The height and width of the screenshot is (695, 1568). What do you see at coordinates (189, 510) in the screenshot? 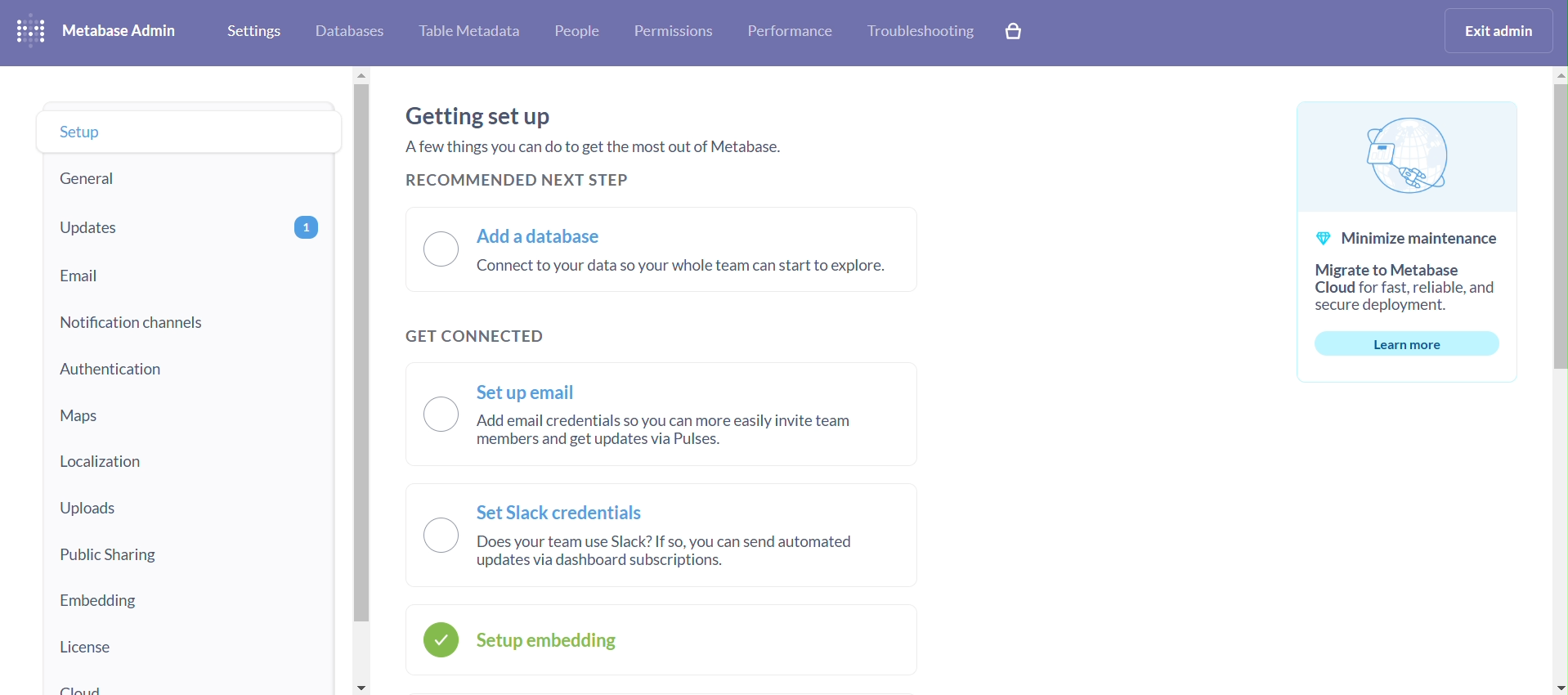
I see `uploads` at bounding box center [189, 510].